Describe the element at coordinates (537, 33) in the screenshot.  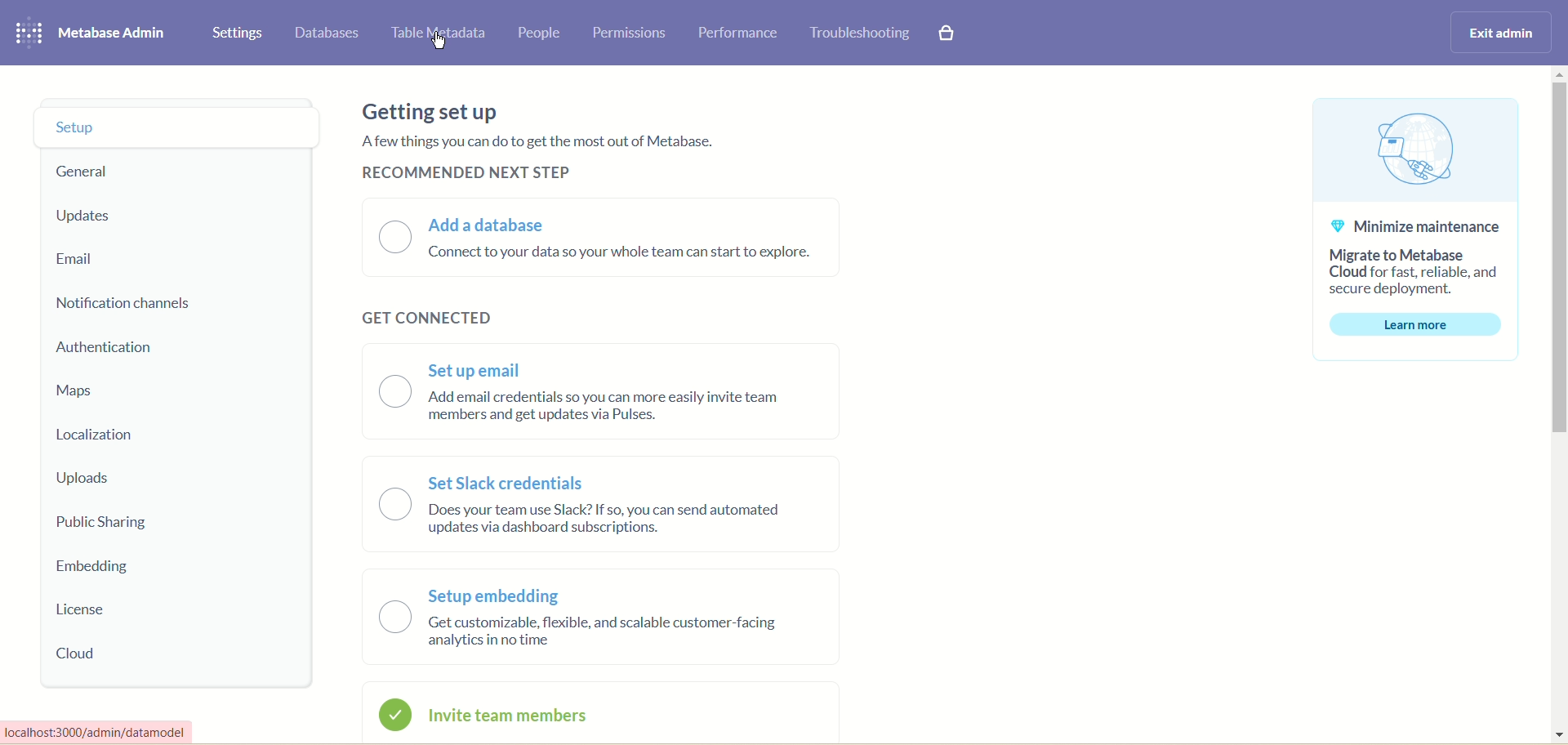
I see `people` at that location.